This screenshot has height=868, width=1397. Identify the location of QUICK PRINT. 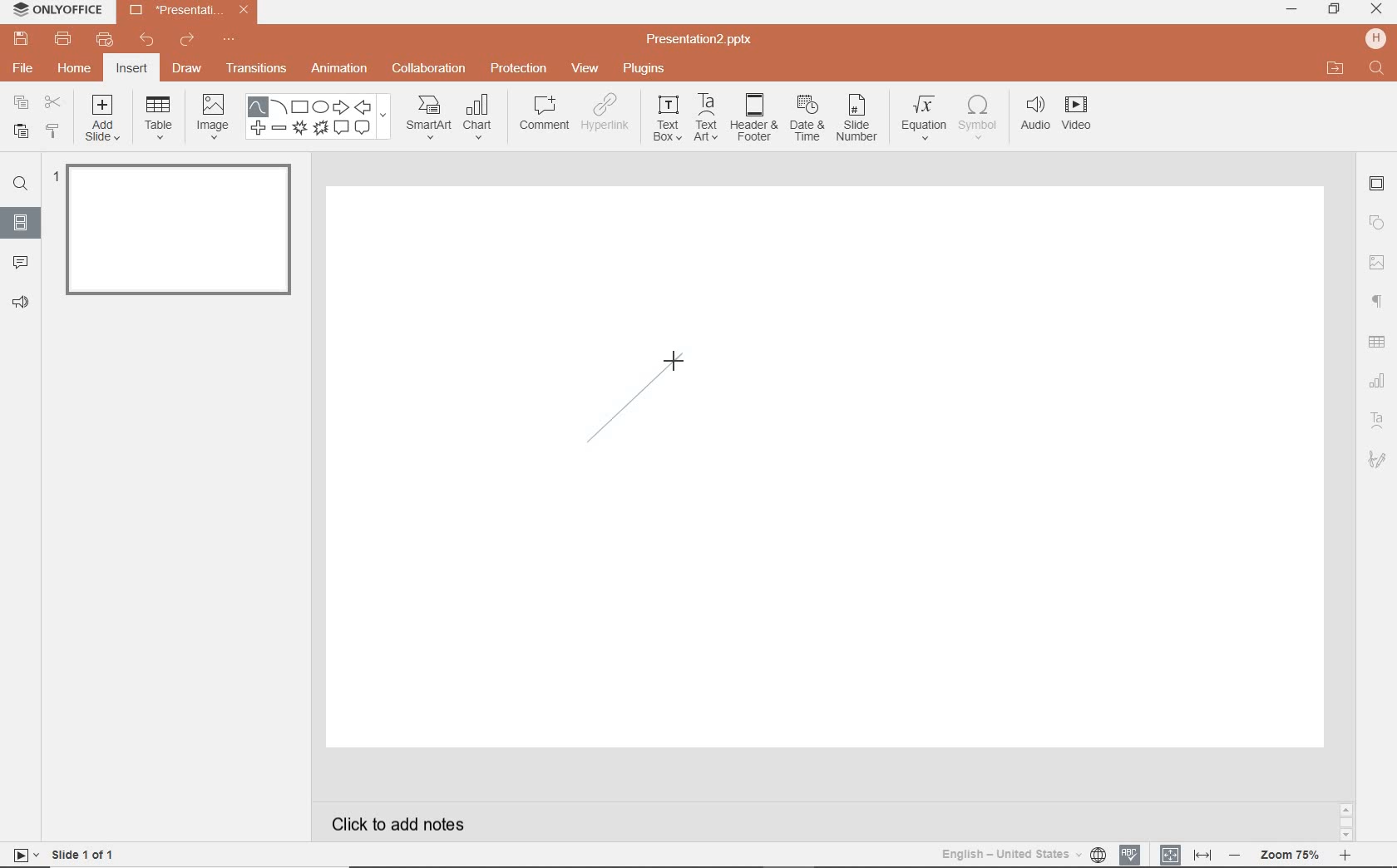
(103, 40).